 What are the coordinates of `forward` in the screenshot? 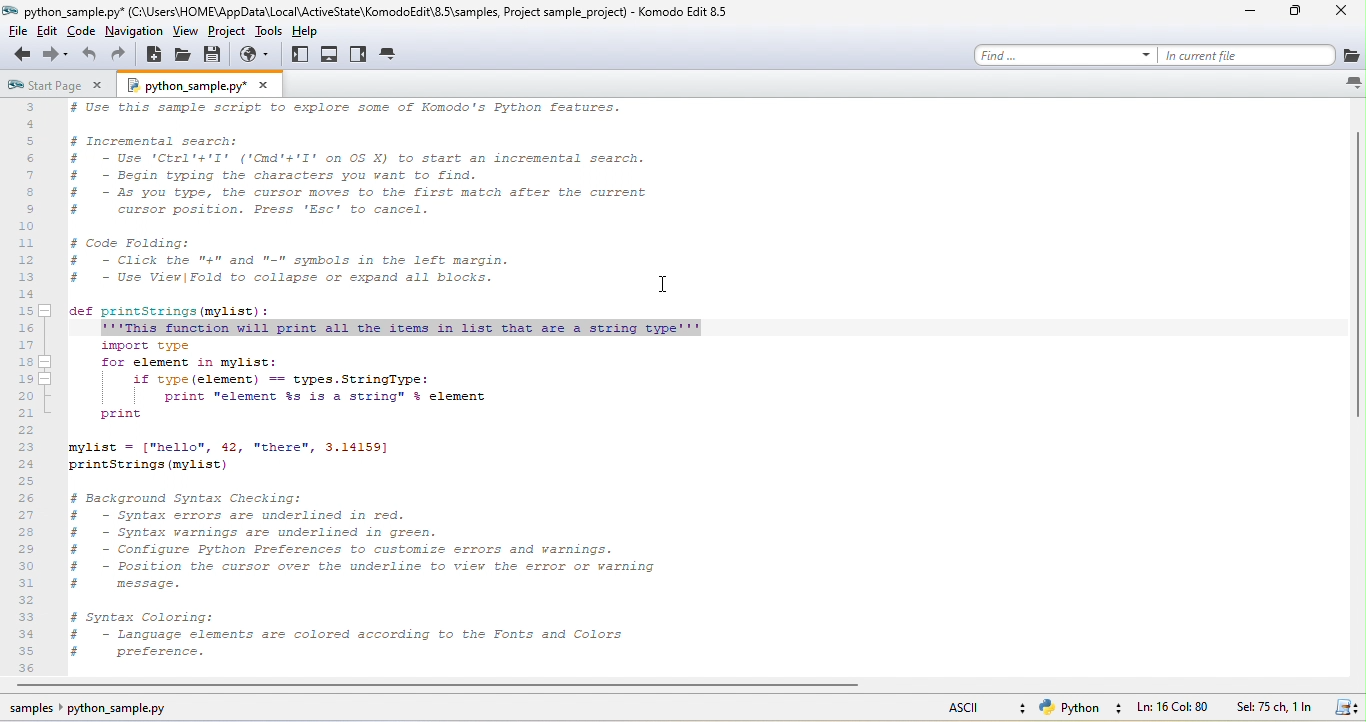 It's located at (54, 55).